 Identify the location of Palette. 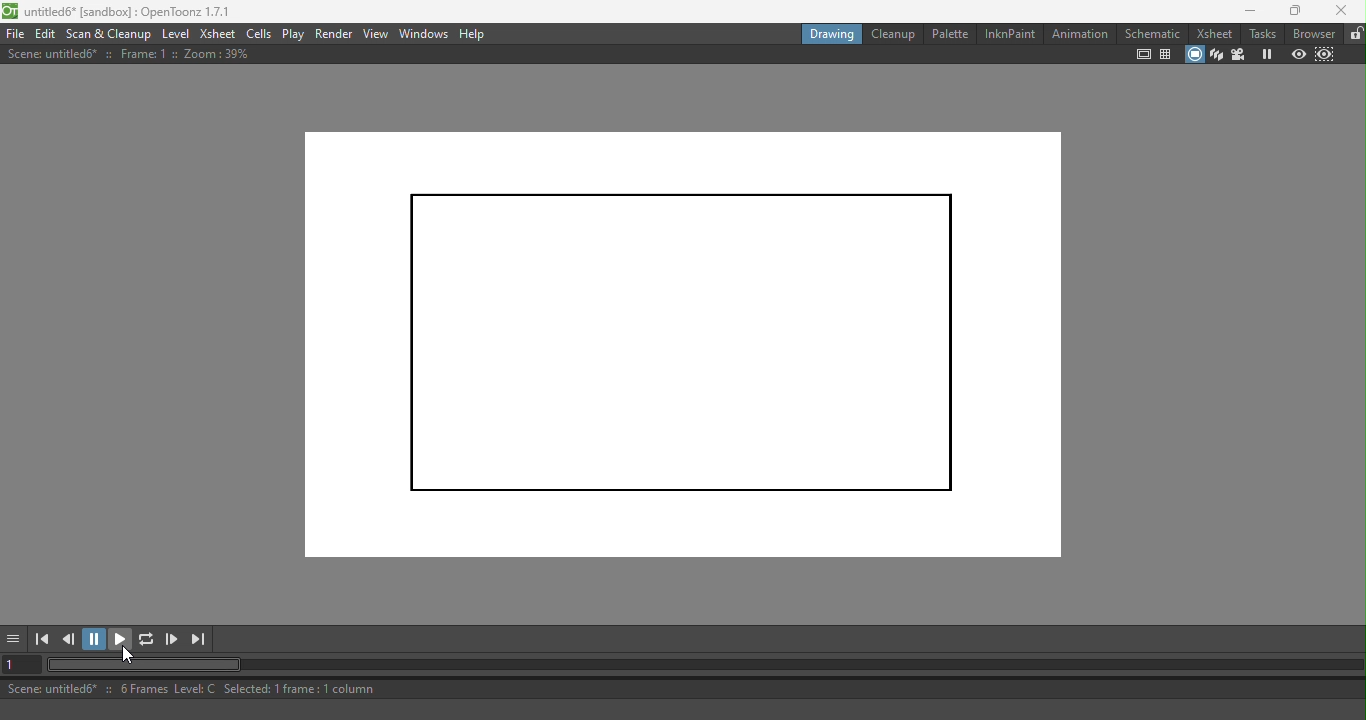
(952, 34).